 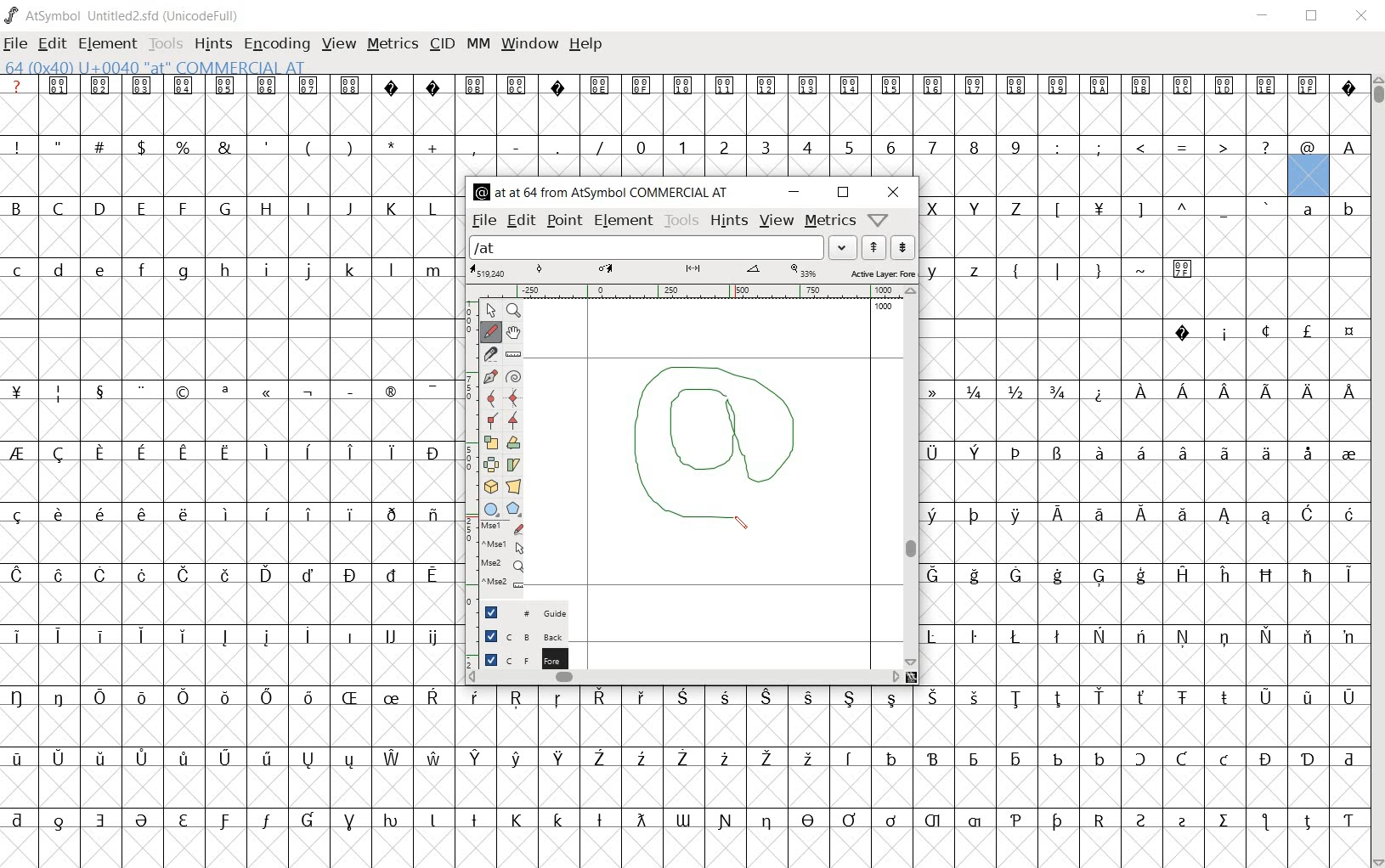 What do you see at coordinates (540, 613) in the screenshot?
I see `guide` at bounding box center [540, 613].